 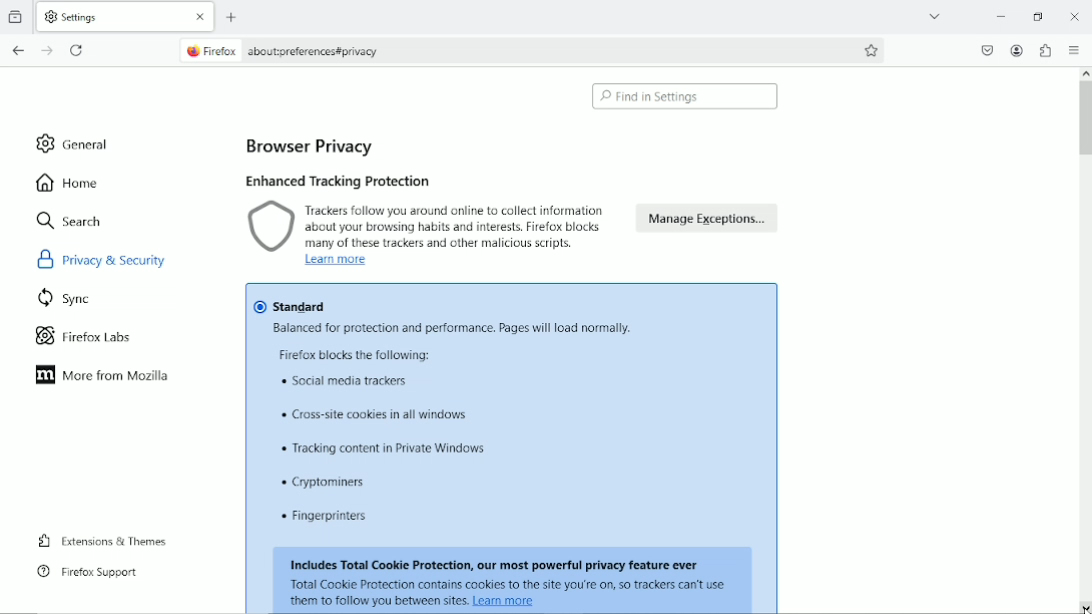 I want to click on search, so click(x=70, y=220).